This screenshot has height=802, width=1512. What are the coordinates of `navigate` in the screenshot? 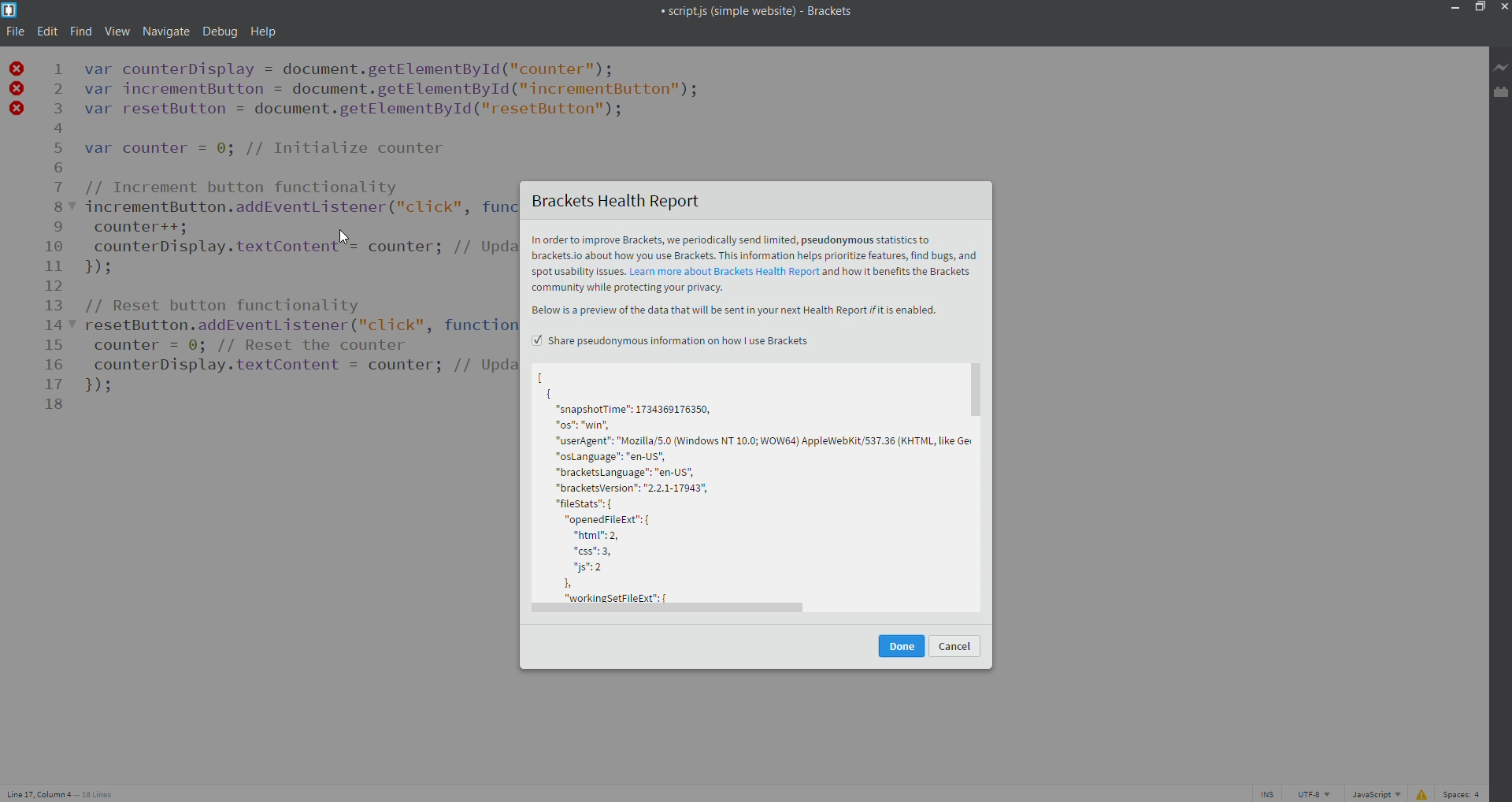 It's located at (165, 32).